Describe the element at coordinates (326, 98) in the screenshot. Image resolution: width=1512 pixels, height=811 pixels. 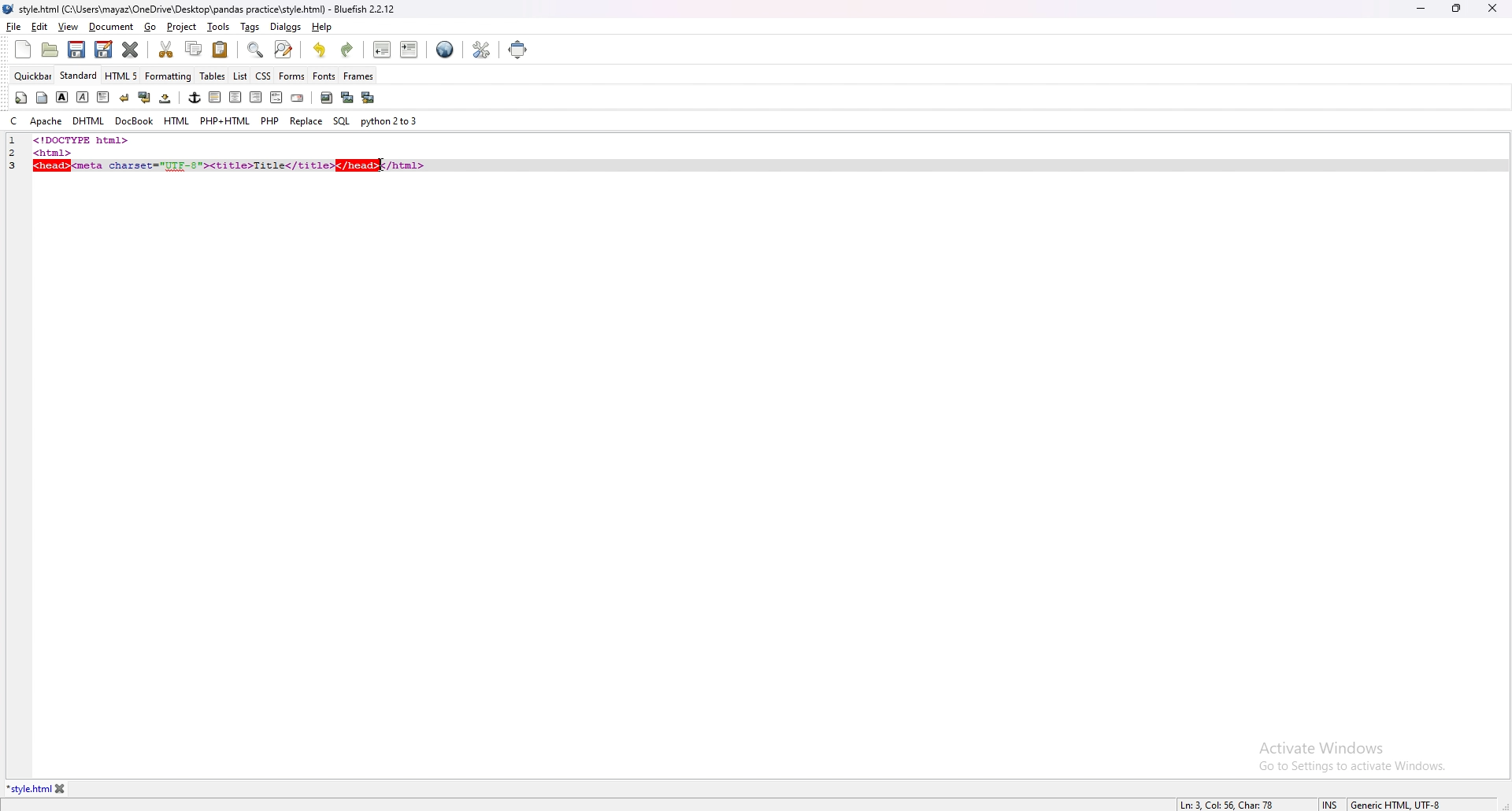
I see `insert image` at that location.